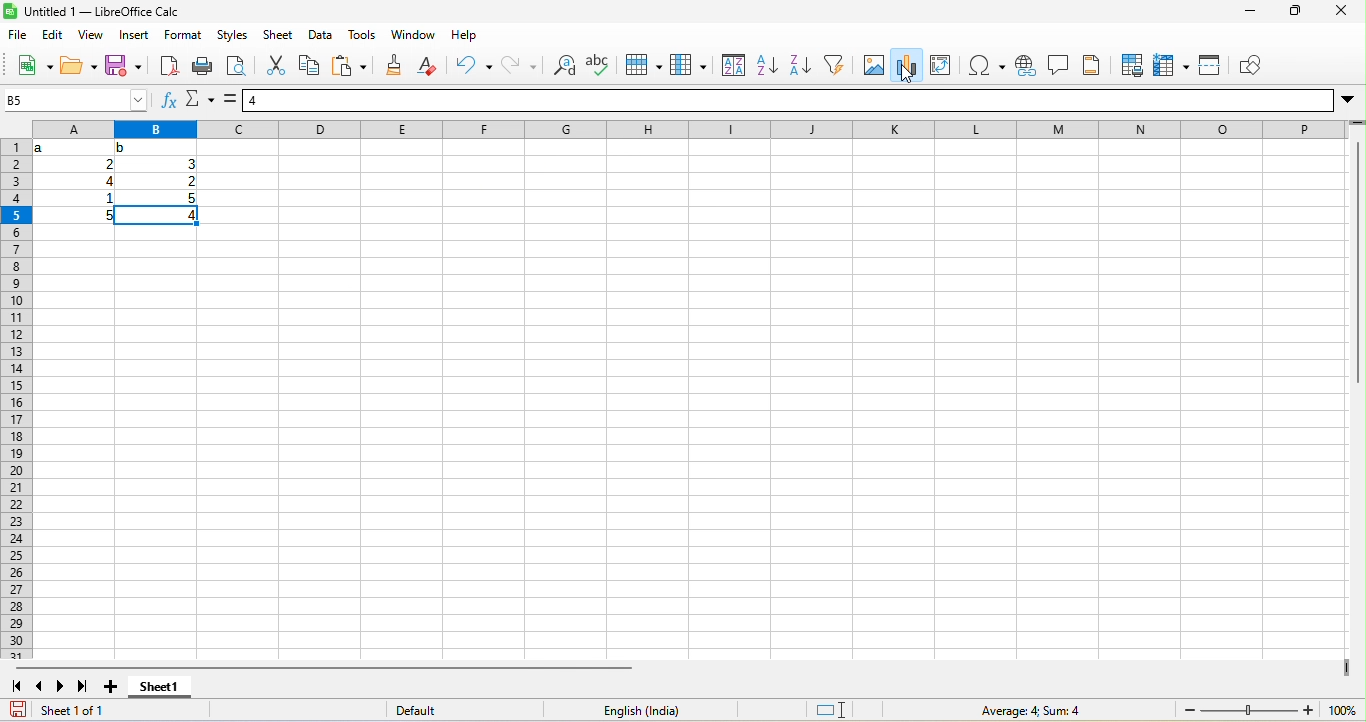 The image size is (1366, 722). I want to click on view, so click(91, 35).